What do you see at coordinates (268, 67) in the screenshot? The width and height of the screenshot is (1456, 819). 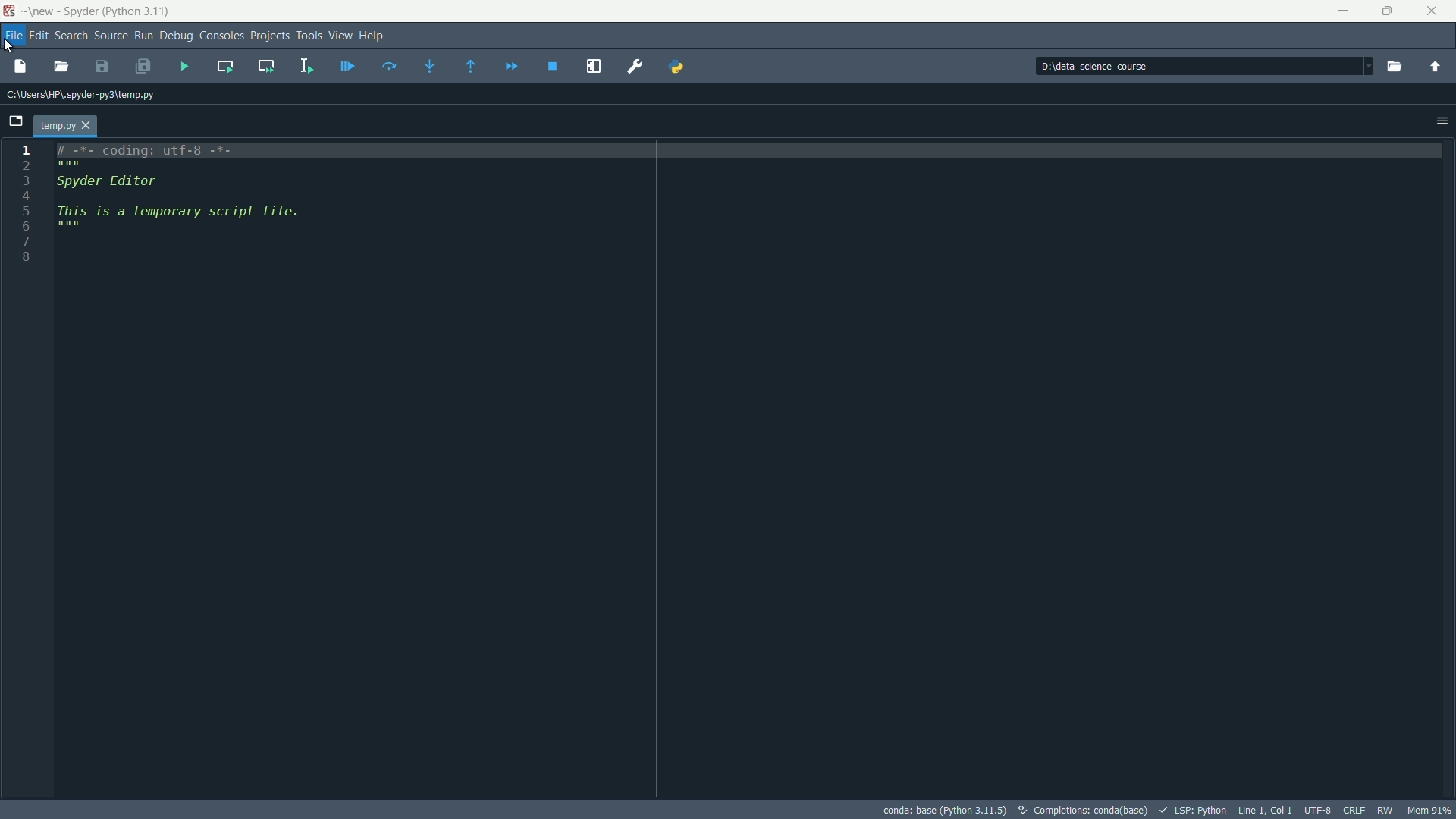 I see `run current cell and go to the next one` at bounding box center [268, 67].